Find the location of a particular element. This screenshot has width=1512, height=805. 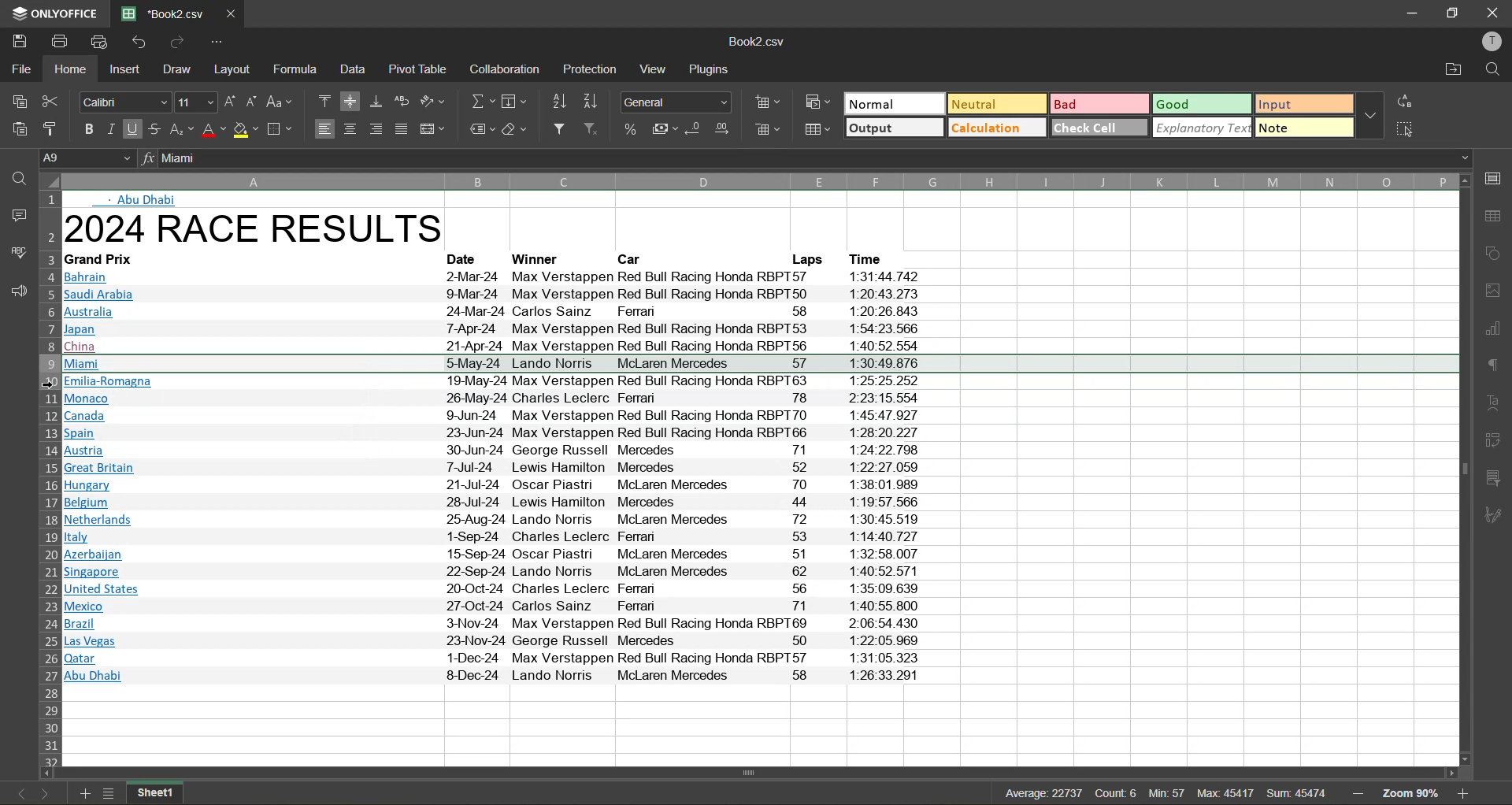

Grand Prix is located at coordinates (115, 258).